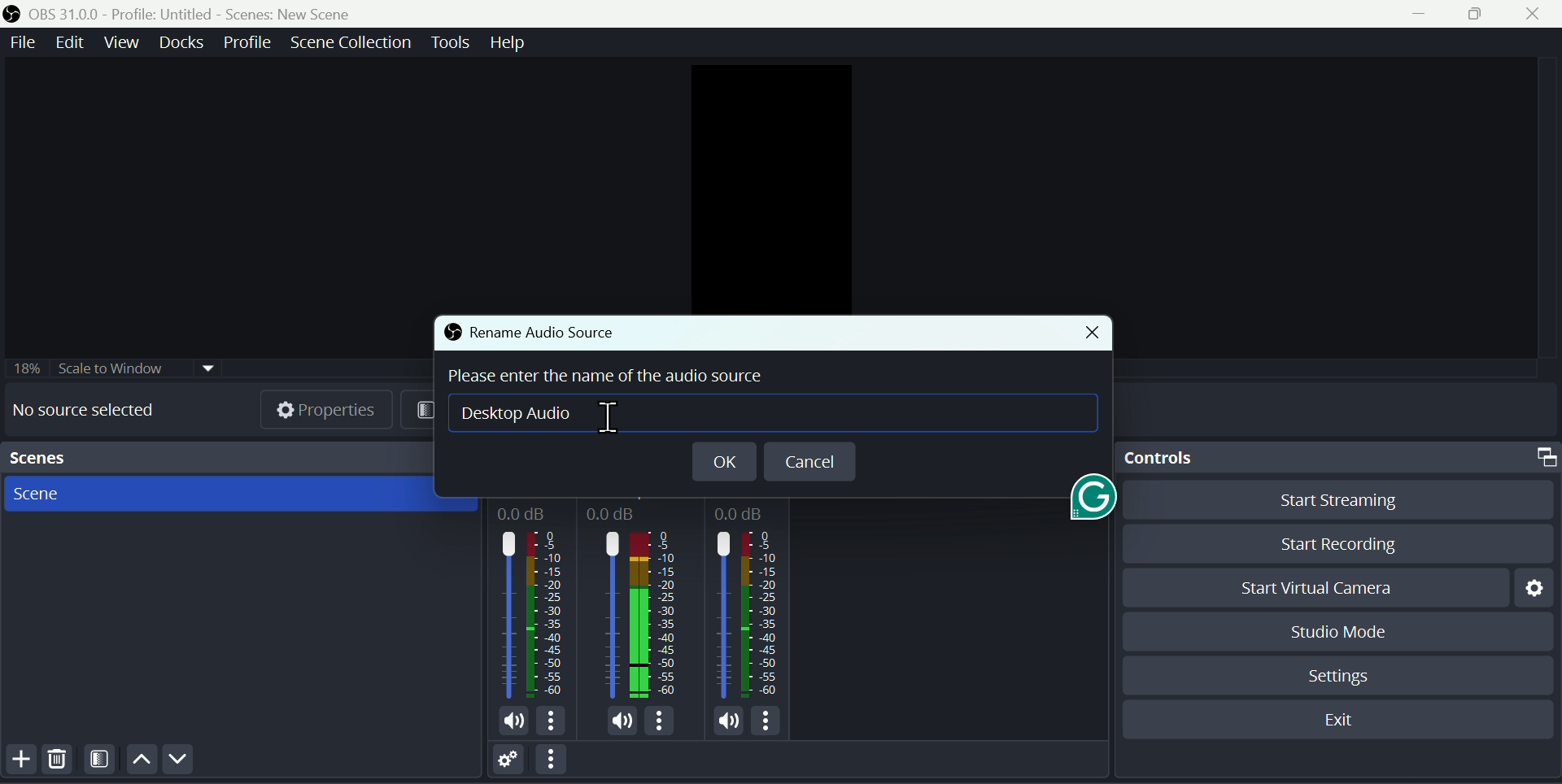 Image resolution: width=1562 pixels, height=784 pixels. Describe the element at coordinates (505, 760) in the screenshot. I see `Settings ` at that location.